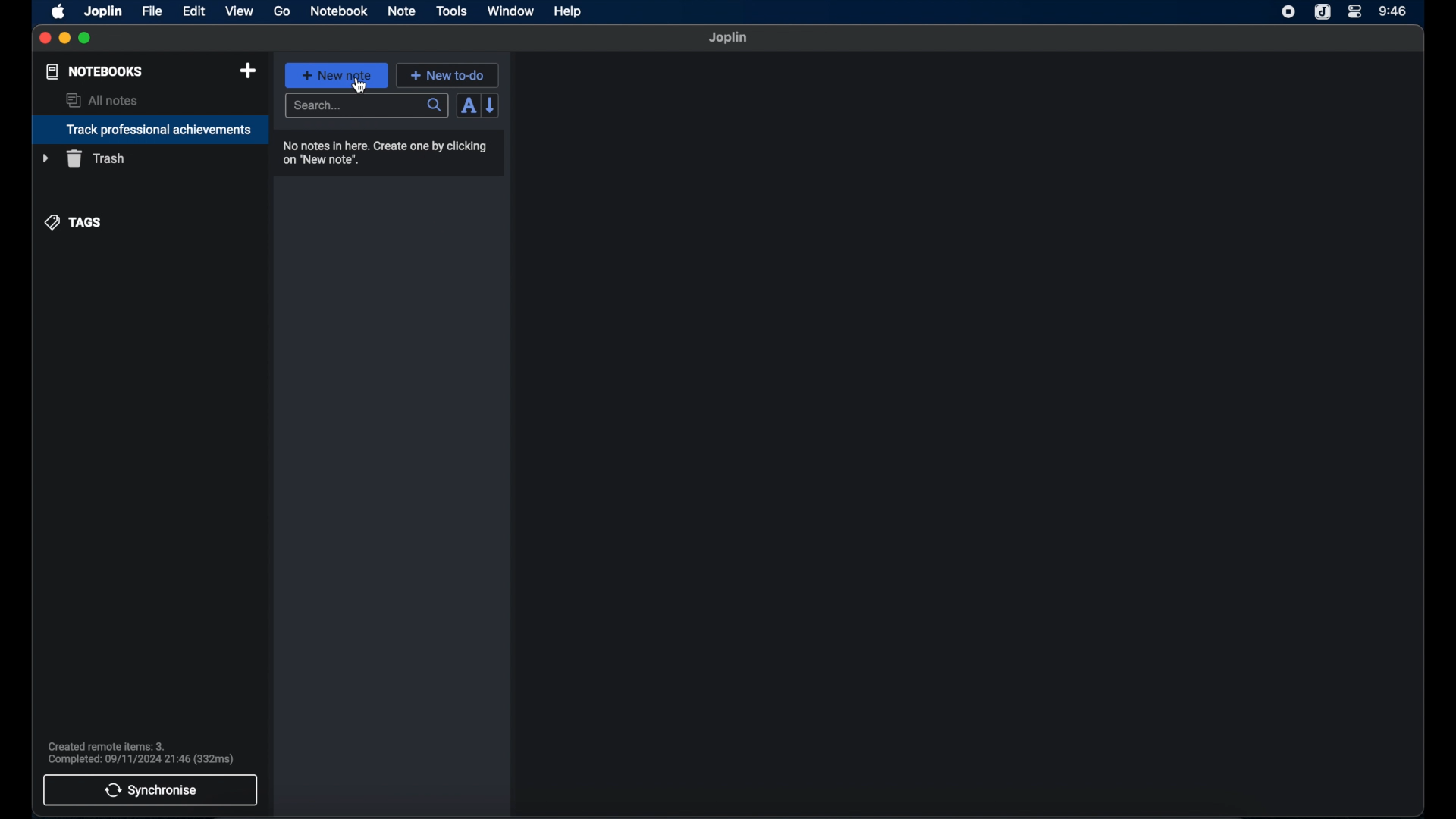  What do you see at coordinates (401, 11) in the screenshot?
I see `note` at bounding box center [401, 11].